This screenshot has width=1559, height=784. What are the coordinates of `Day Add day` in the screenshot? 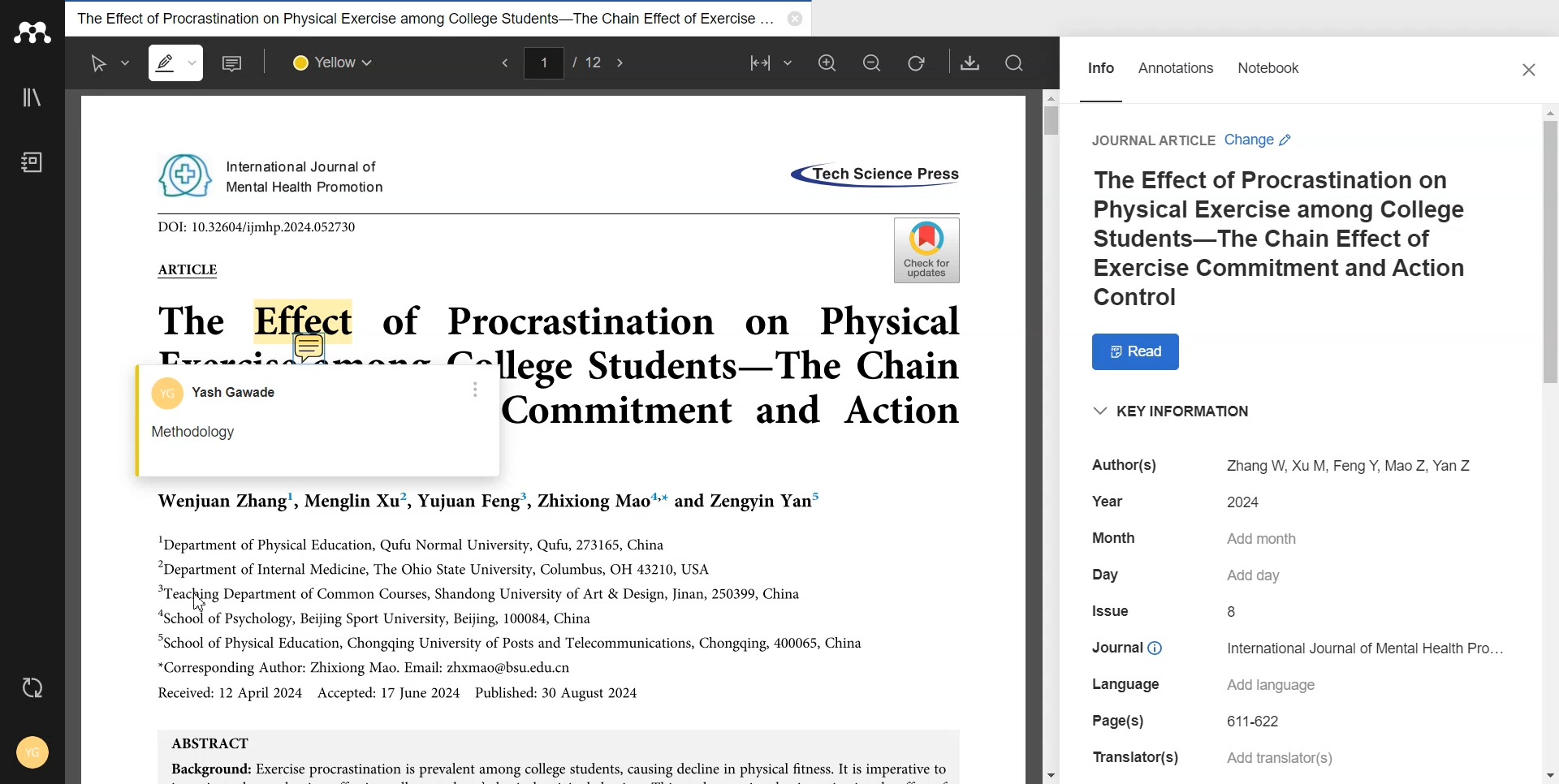 It's located at (1187, 575).